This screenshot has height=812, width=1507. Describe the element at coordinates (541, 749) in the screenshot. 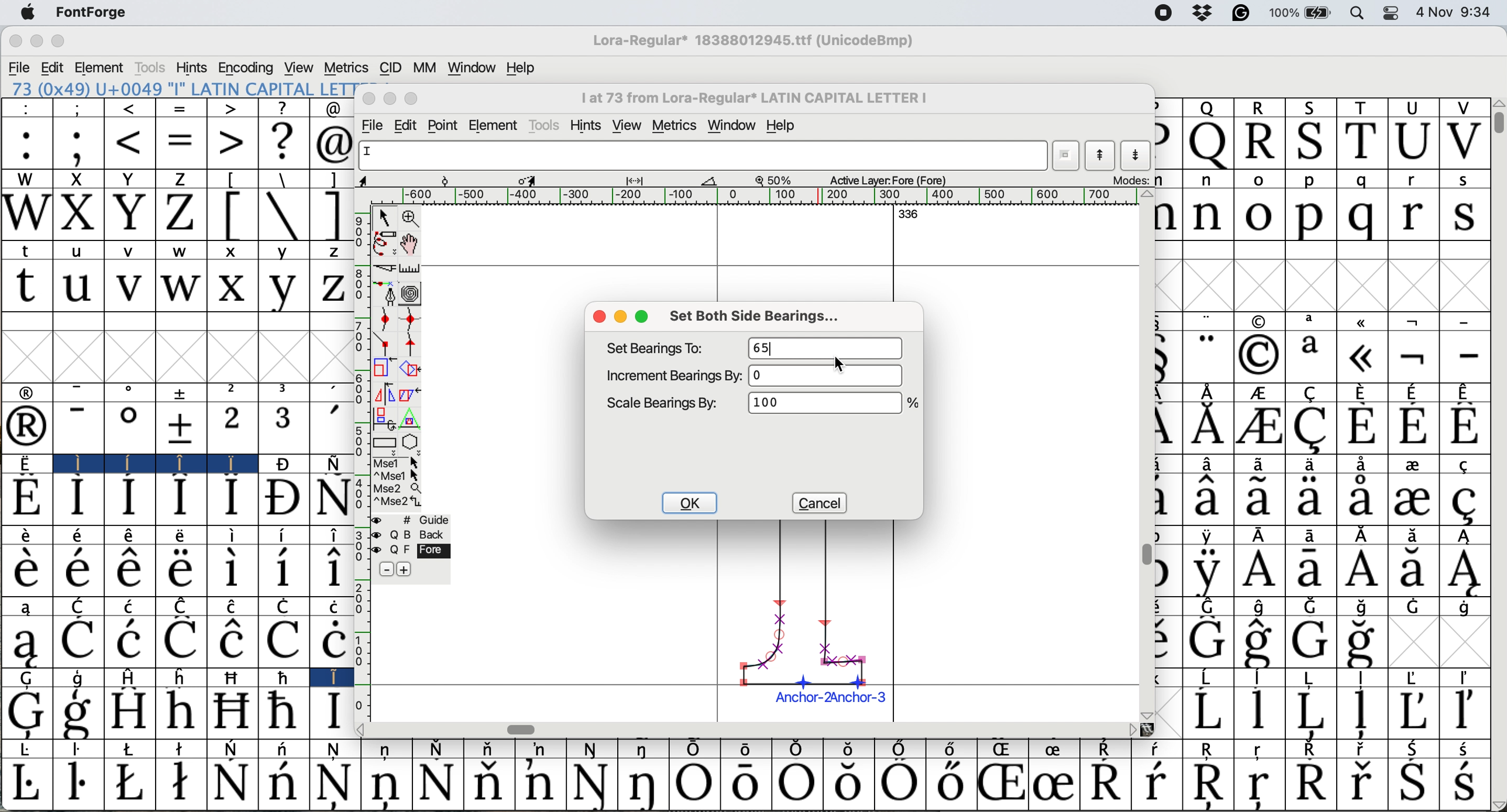

I see `Symbol` at that location.